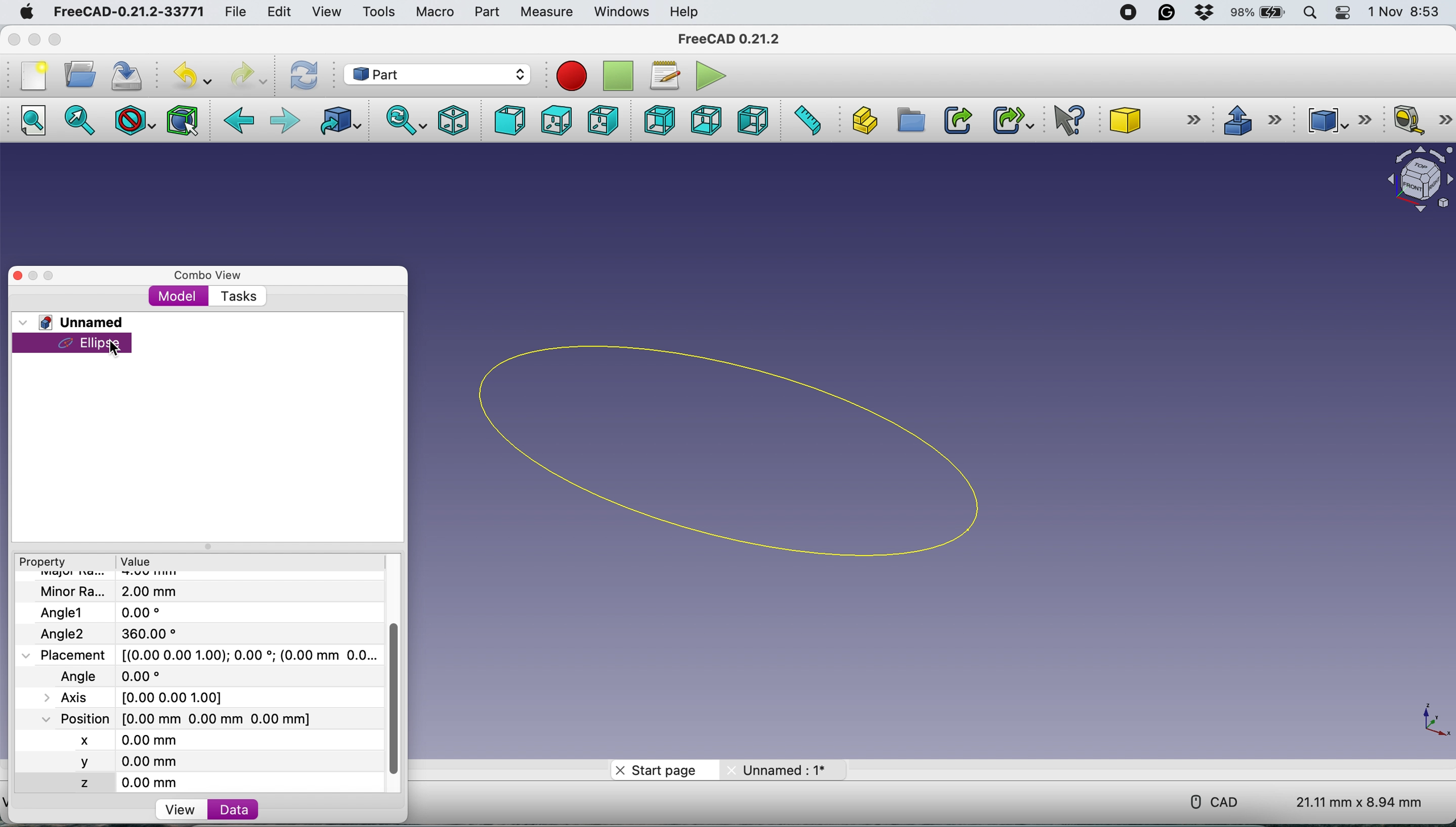 Image resolution: width=1456 pixels, height=827 pixels. Describe the element at coordinates (1217, 800) in the screenshot. I see `cad` at that location.